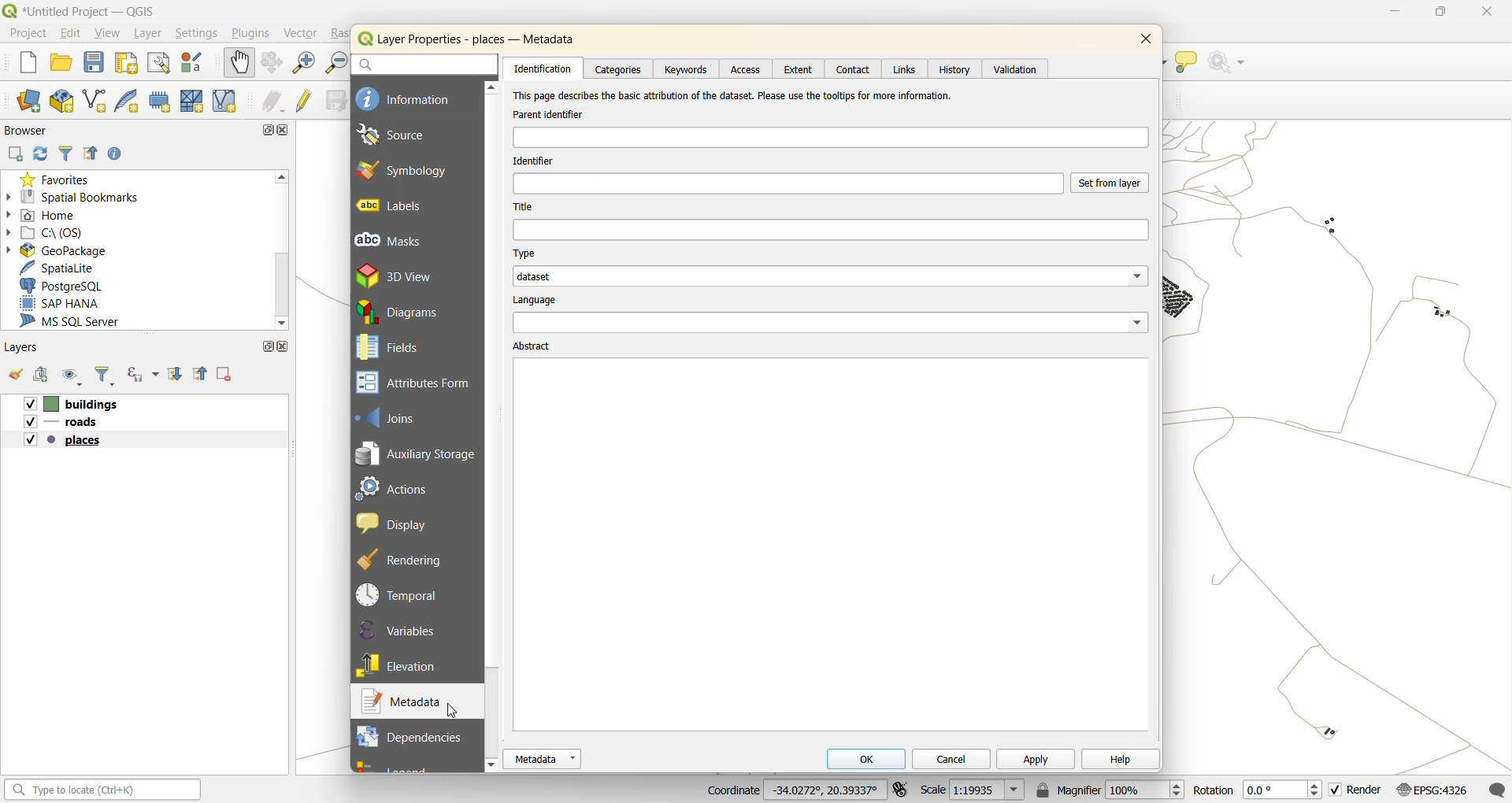  I want to click on print layout, so click(128, 65).